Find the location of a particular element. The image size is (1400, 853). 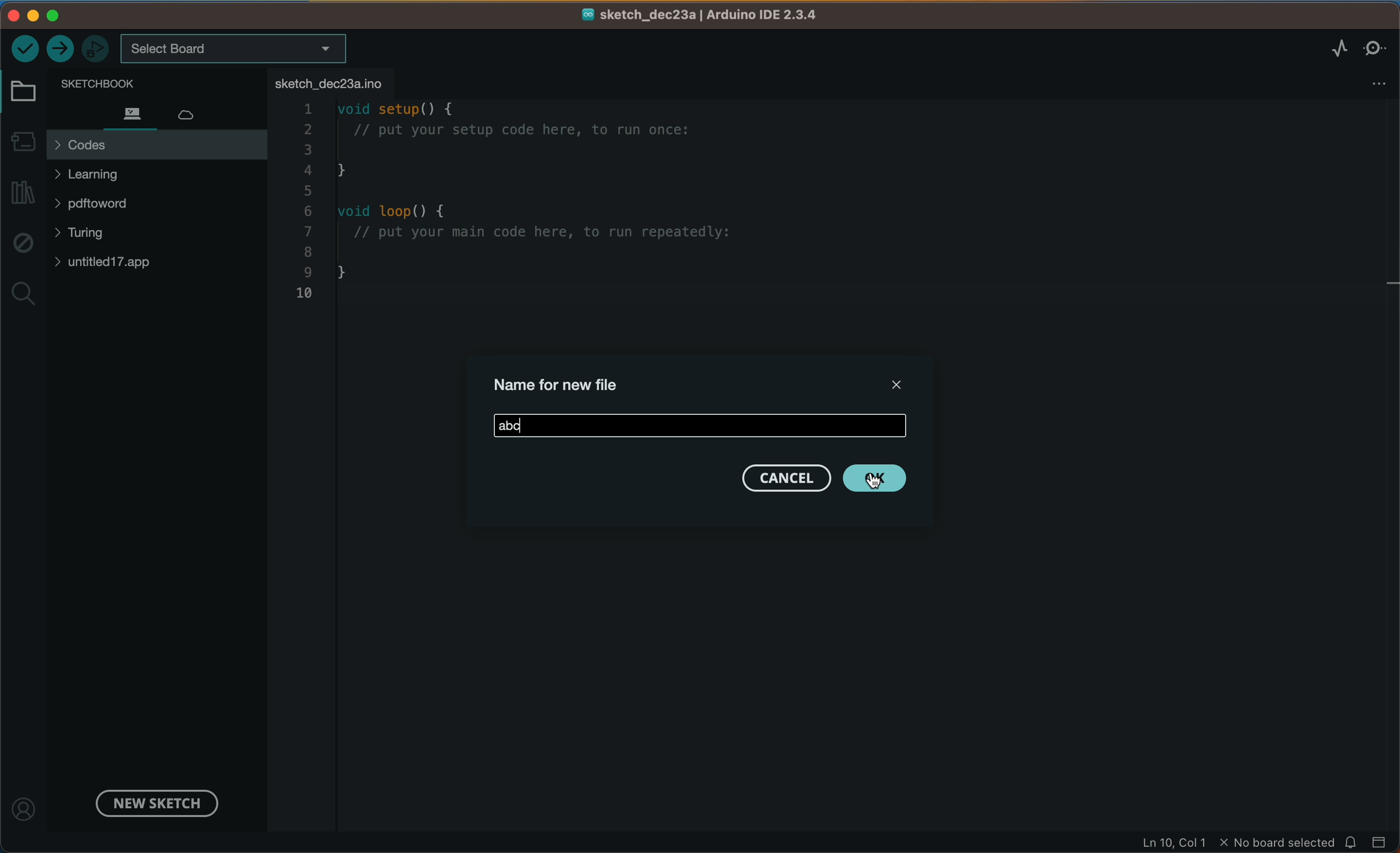

file tab is located at coordinates (332, 82).